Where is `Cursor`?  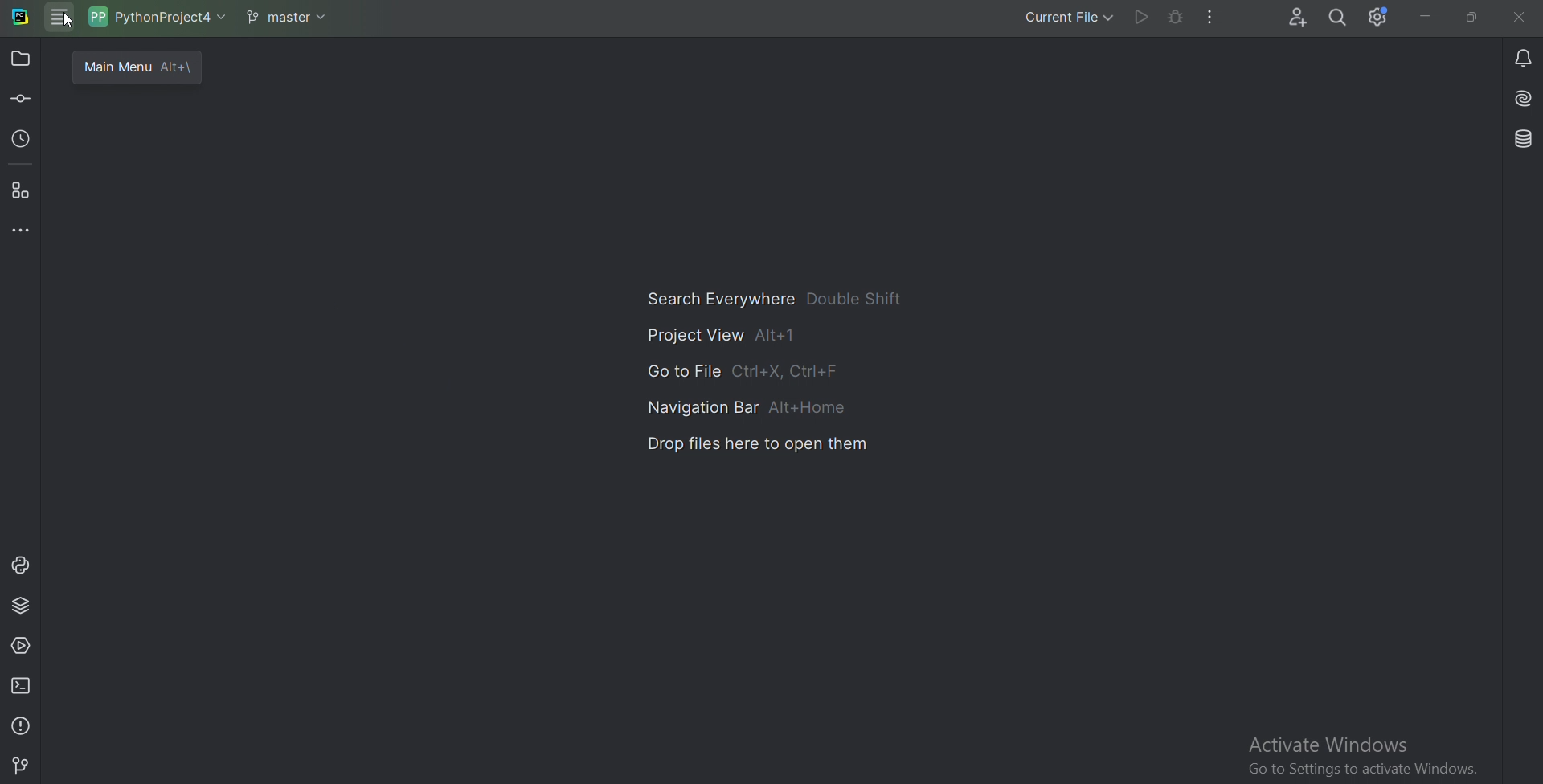 Cursor is located at coordinates (70, 22).